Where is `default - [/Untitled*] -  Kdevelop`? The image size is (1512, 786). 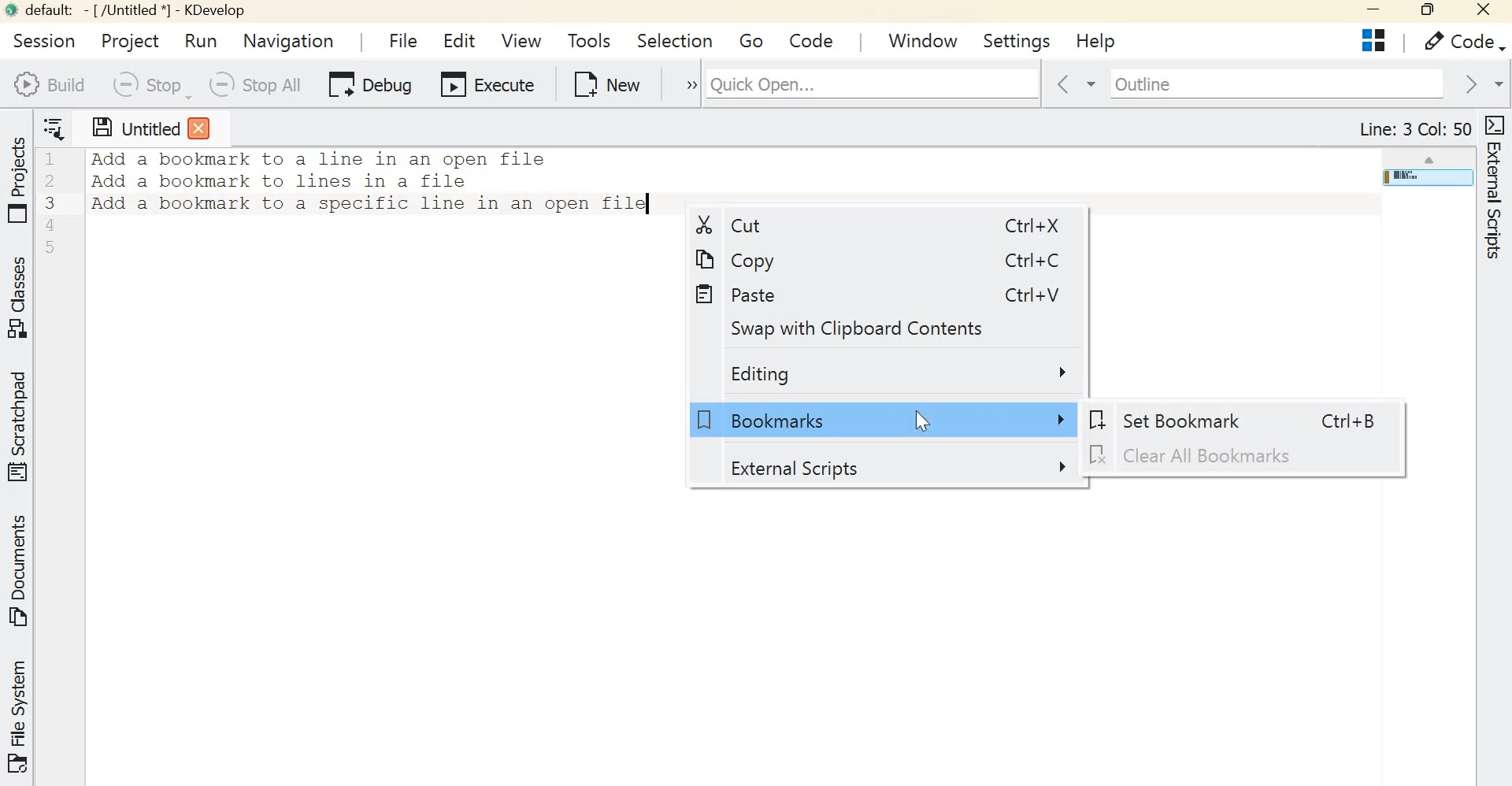 default - [/Untitled*] -  Kdevelop is located at coordinates (124, 11).